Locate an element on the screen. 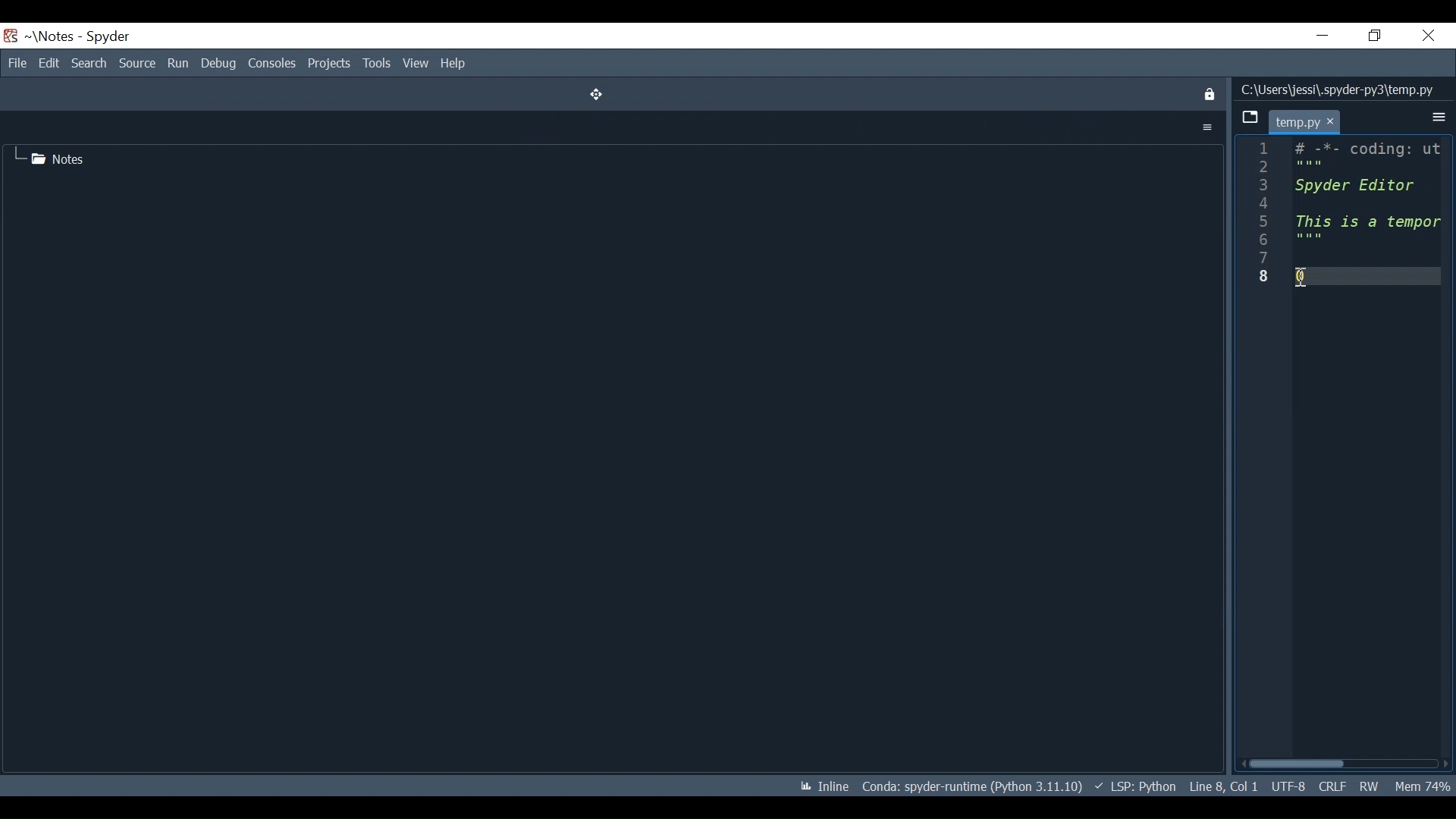 The image size is (1456, 819). Search is located at coordinates (88, 63).